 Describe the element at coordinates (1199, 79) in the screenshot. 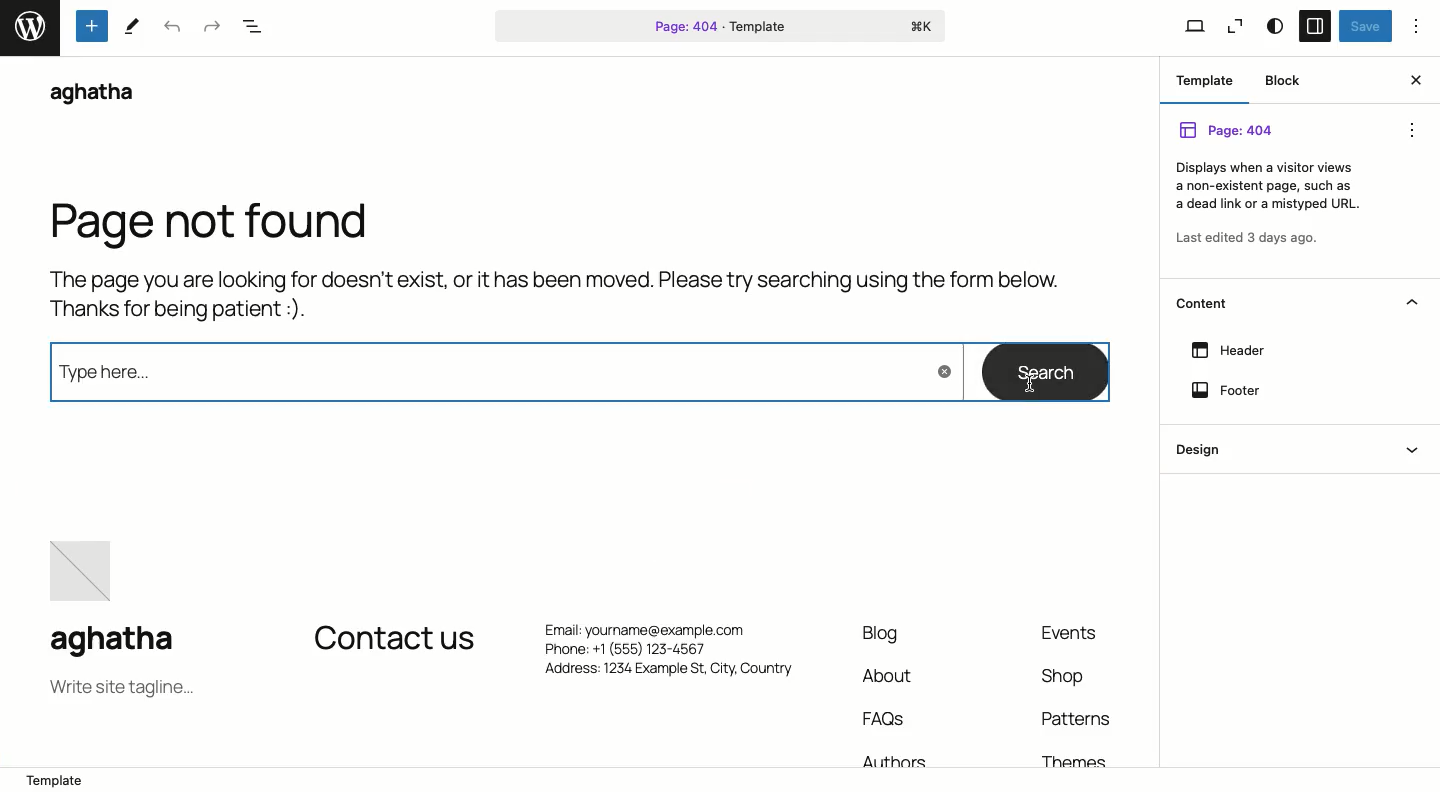

I see `Template` at that location.